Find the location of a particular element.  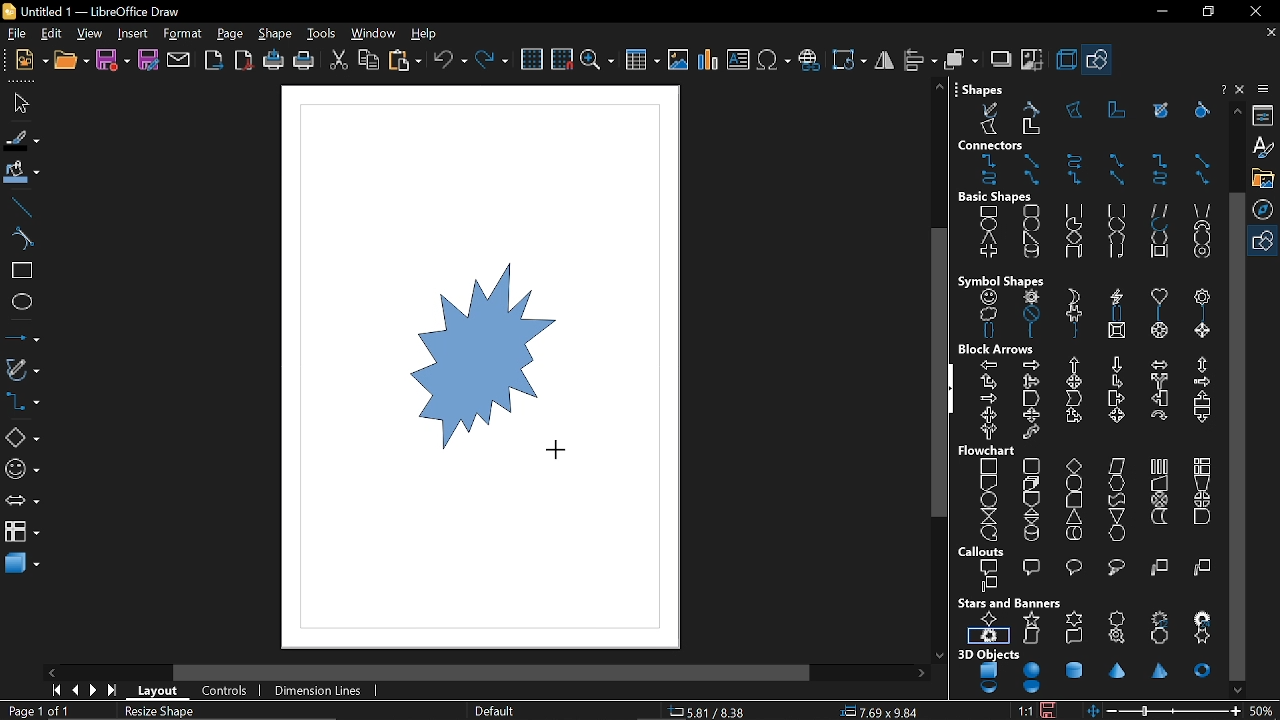

new is located at coordinates (31, 61).